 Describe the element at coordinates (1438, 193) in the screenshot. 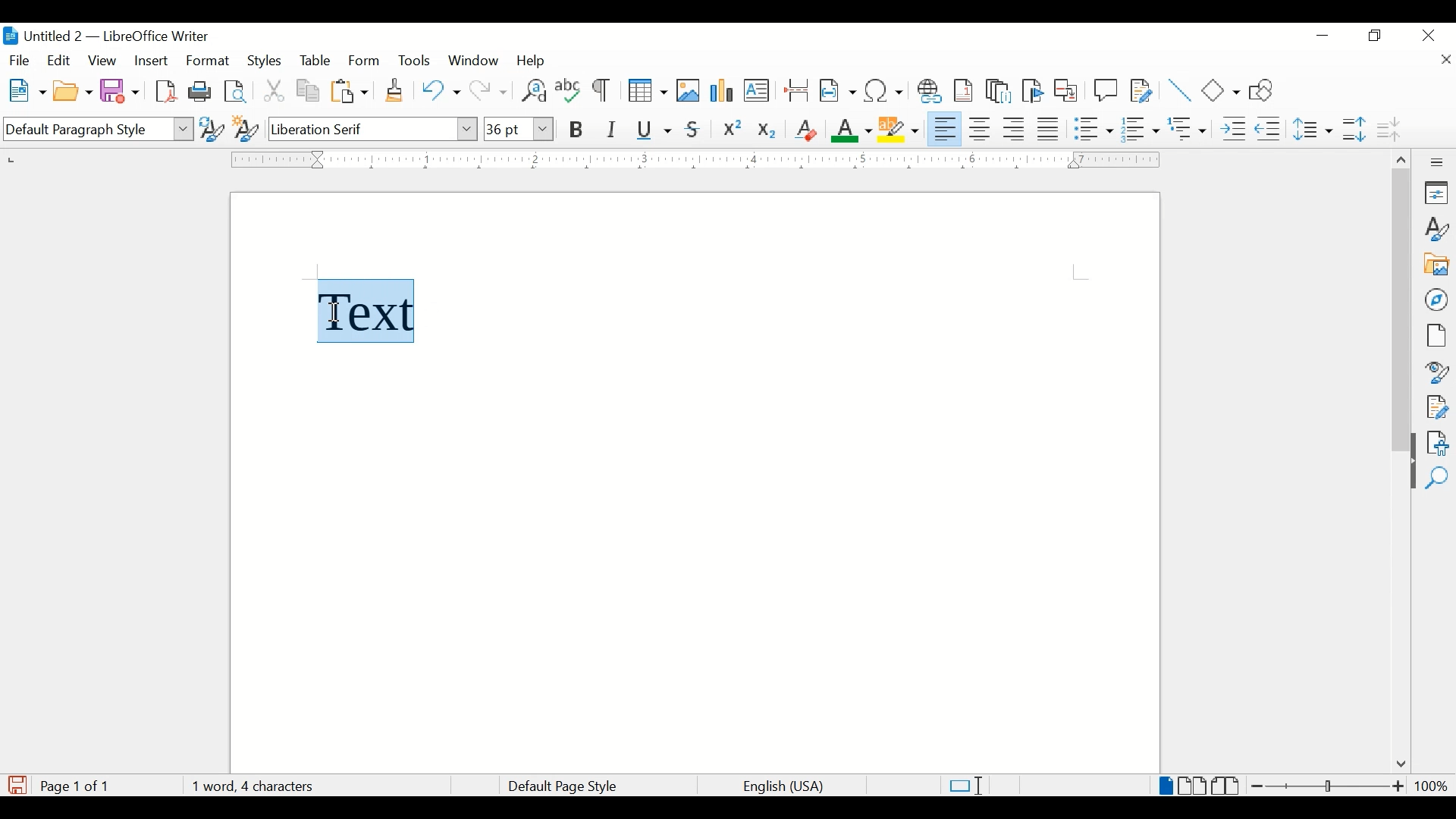

I see `properties` at that location.